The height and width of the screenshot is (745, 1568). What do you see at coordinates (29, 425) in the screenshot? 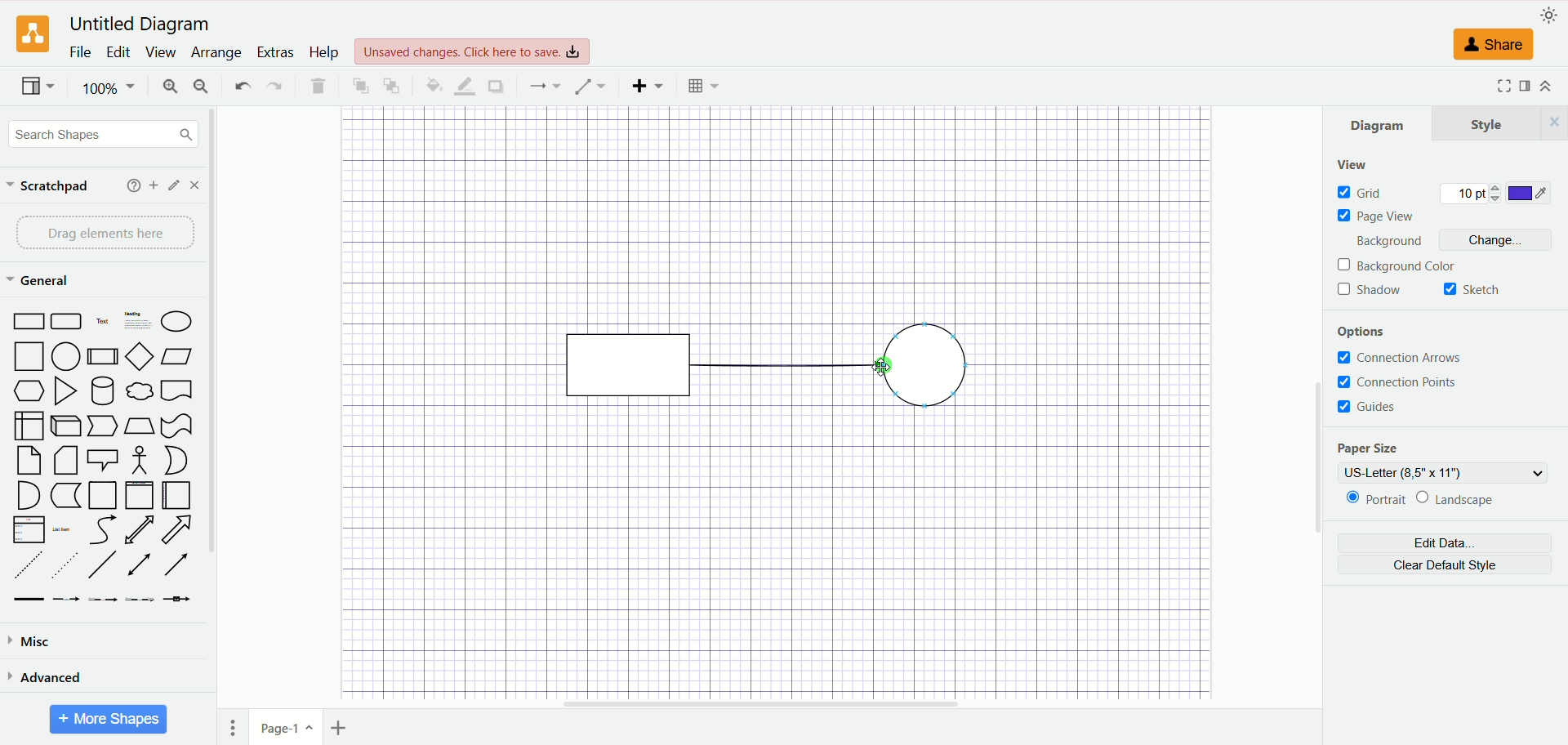
I see `Box` at bounding box center [29, 425].